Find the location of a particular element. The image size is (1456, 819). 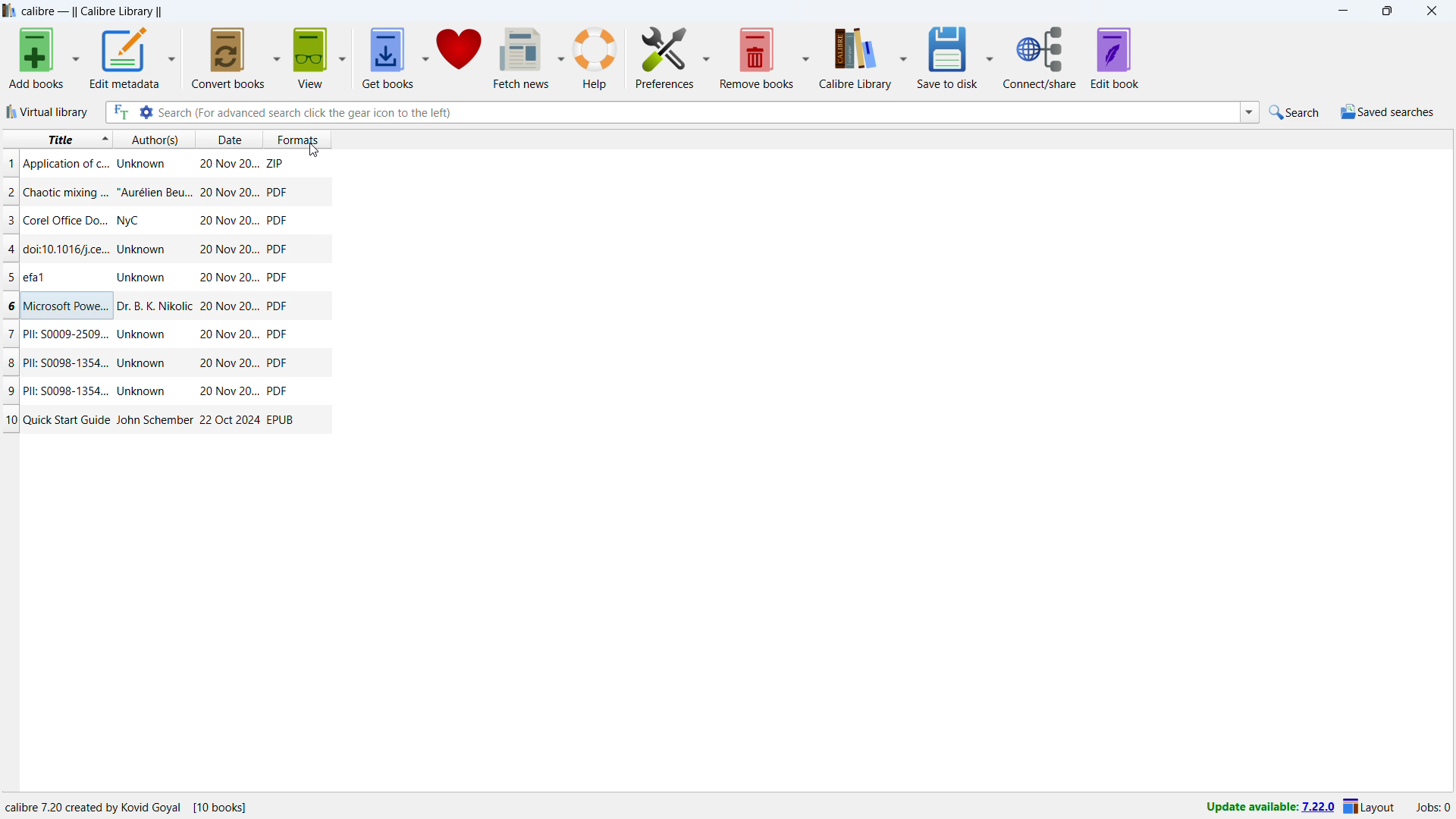

date is located at coordinates (227, 162).